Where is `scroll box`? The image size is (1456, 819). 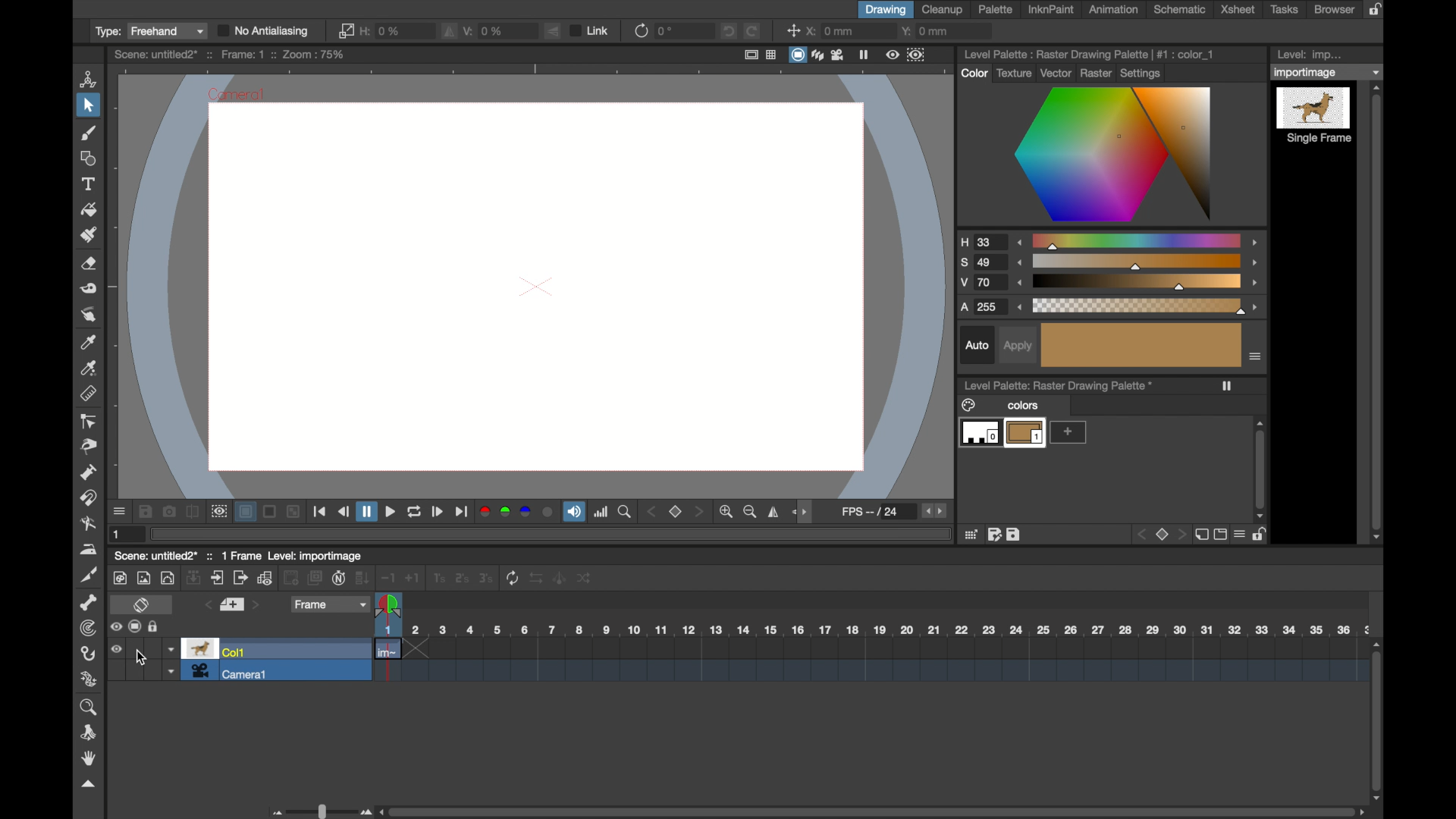 scroll box is located at coordinates (1378, 313).